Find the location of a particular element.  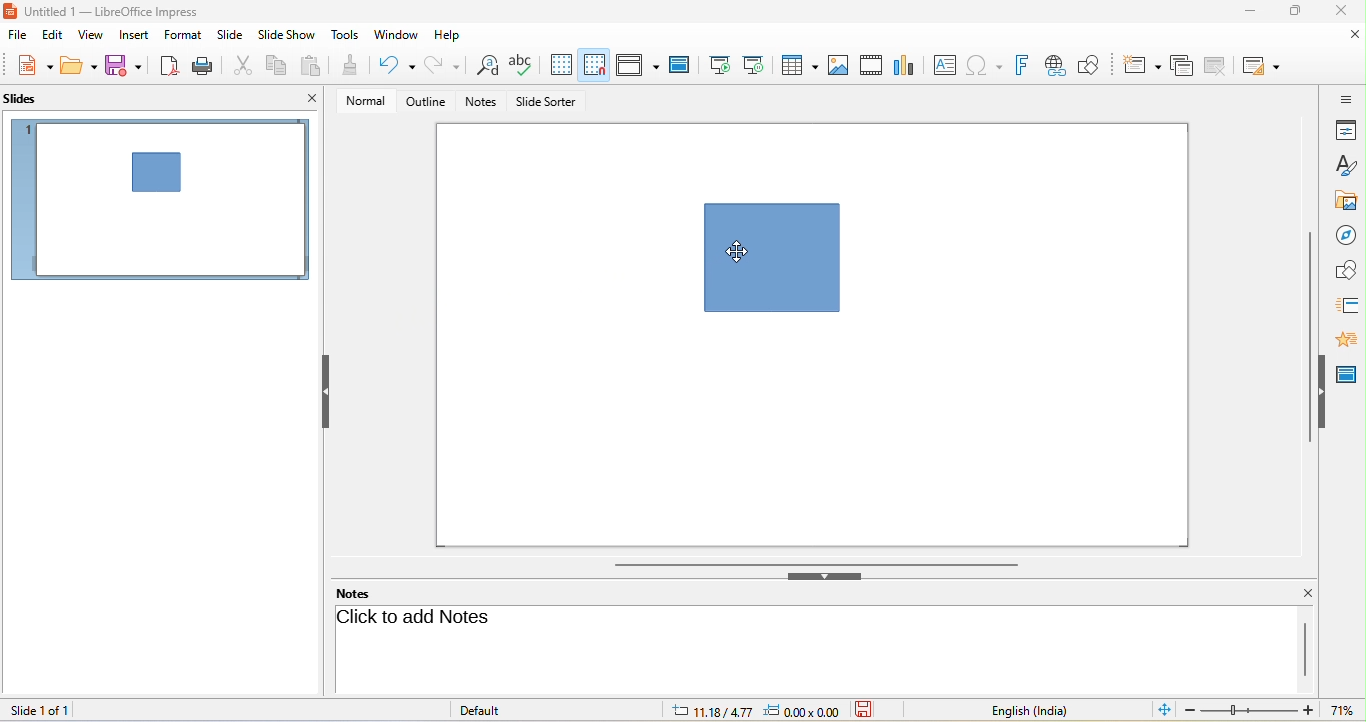

undo is located at coordinates (395, 63).